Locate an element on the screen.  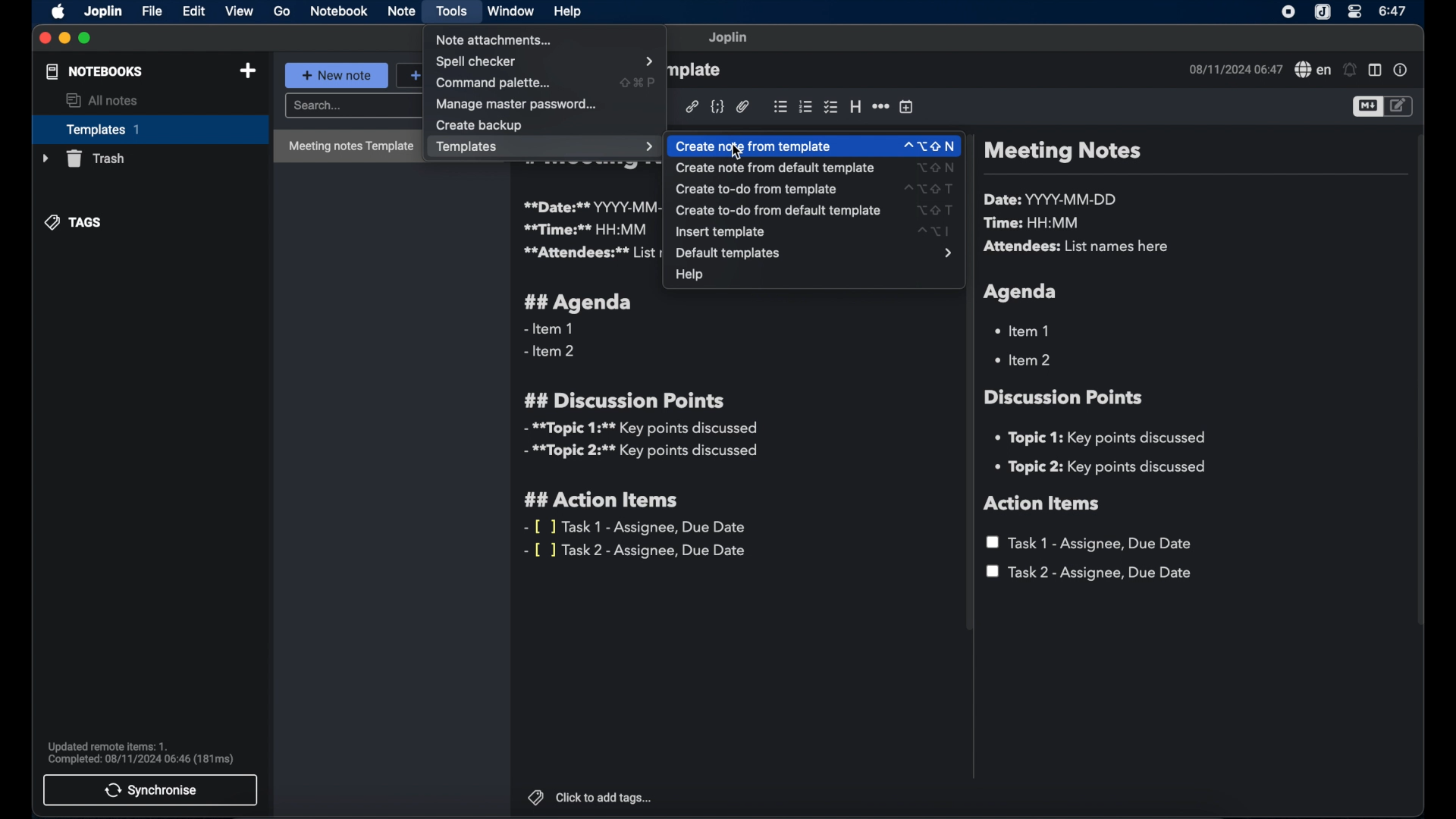
code is located at coordinates (718, 105).